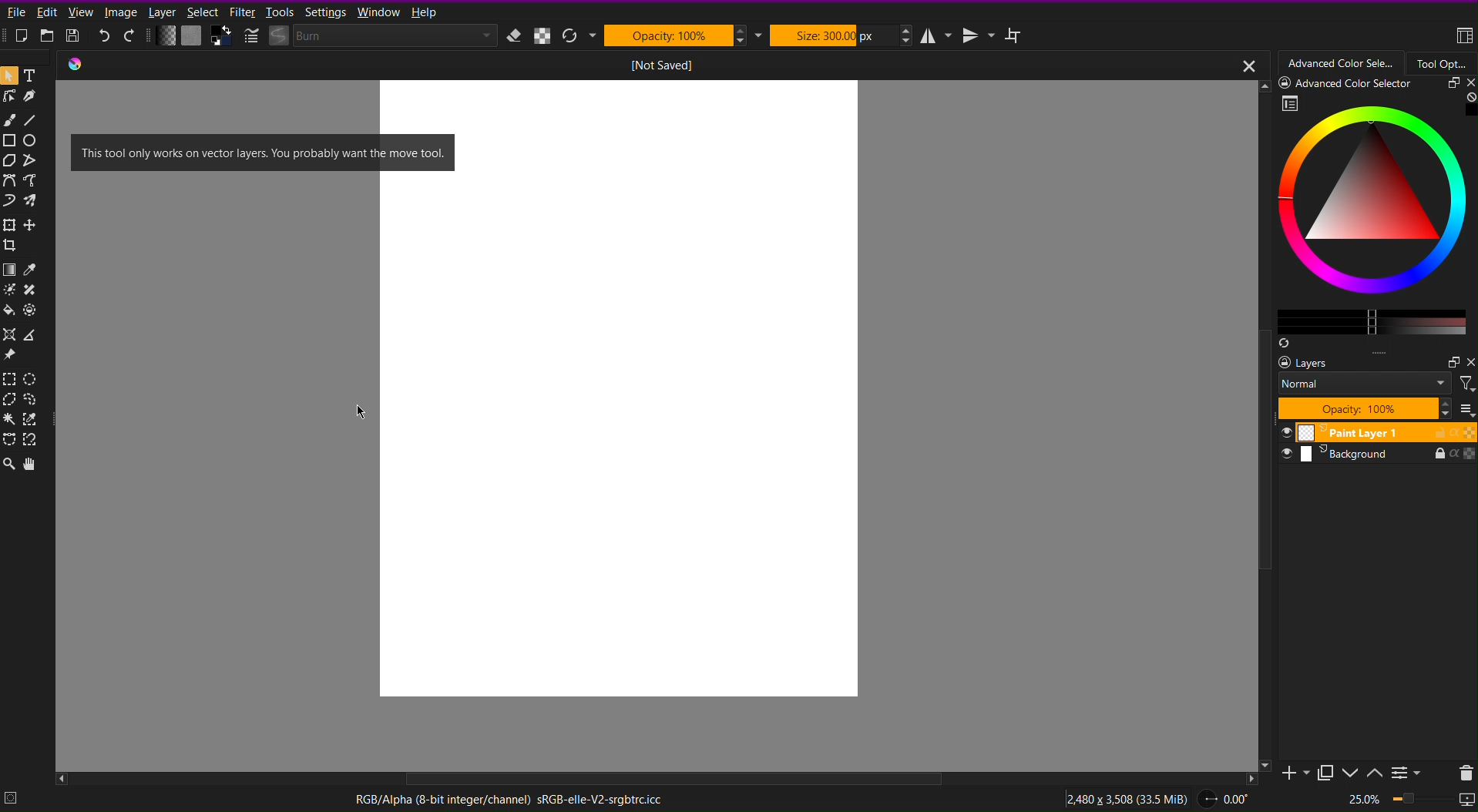  I want to click on Move Tools, so click(25, 231).